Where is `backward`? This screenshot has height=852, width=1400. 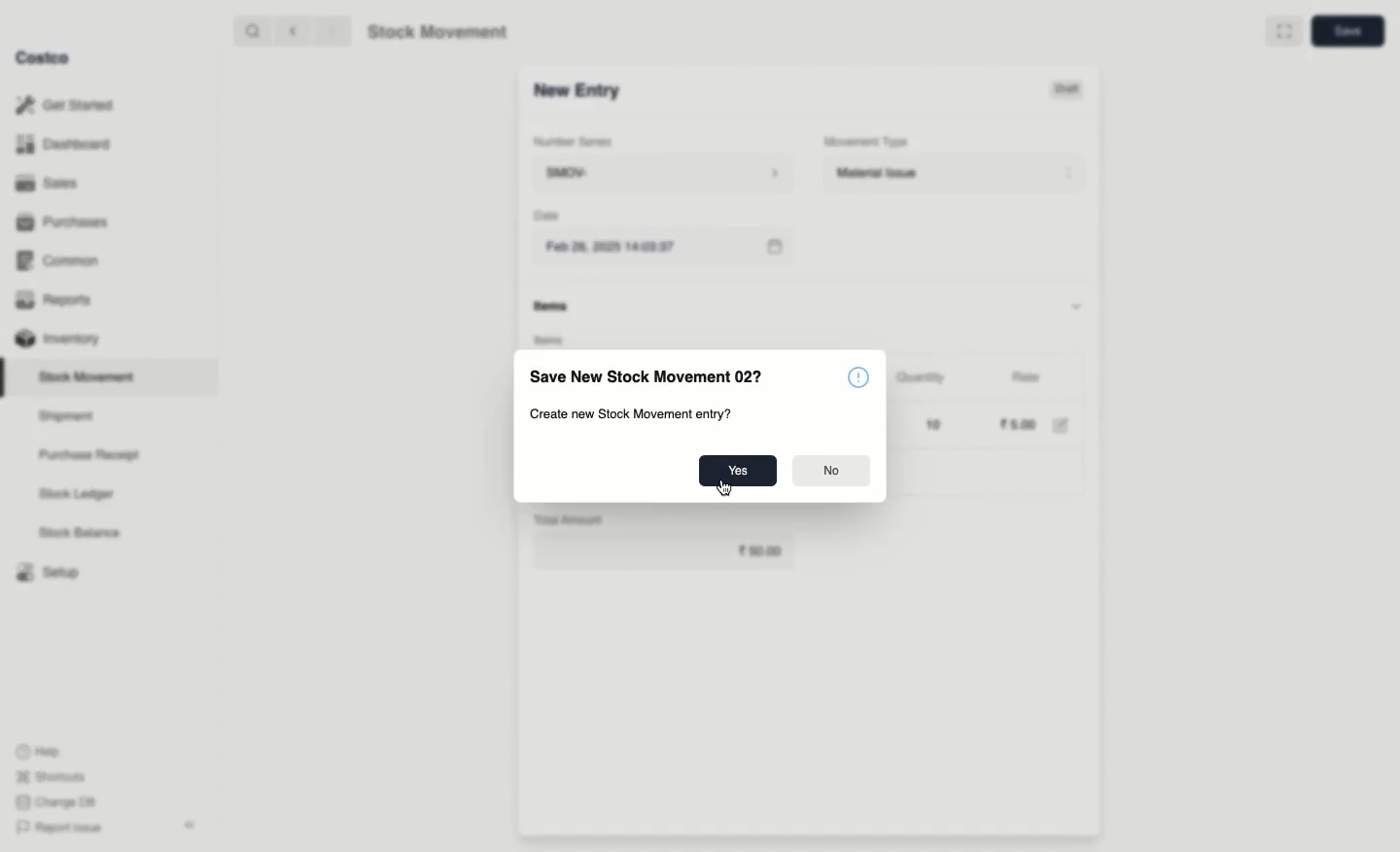
backward is located at coordinates (296, 32).